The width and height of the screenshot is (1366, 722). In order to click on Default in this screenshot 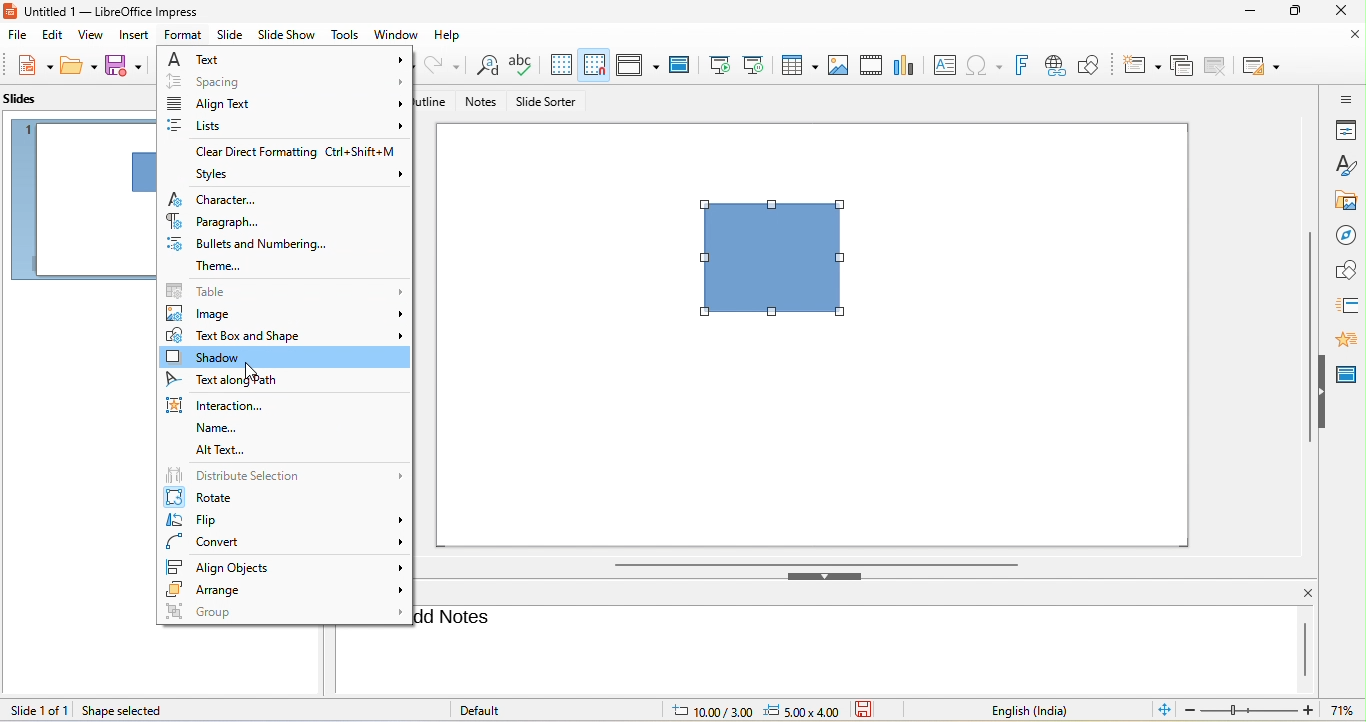, I will do `click(496, 710)`.